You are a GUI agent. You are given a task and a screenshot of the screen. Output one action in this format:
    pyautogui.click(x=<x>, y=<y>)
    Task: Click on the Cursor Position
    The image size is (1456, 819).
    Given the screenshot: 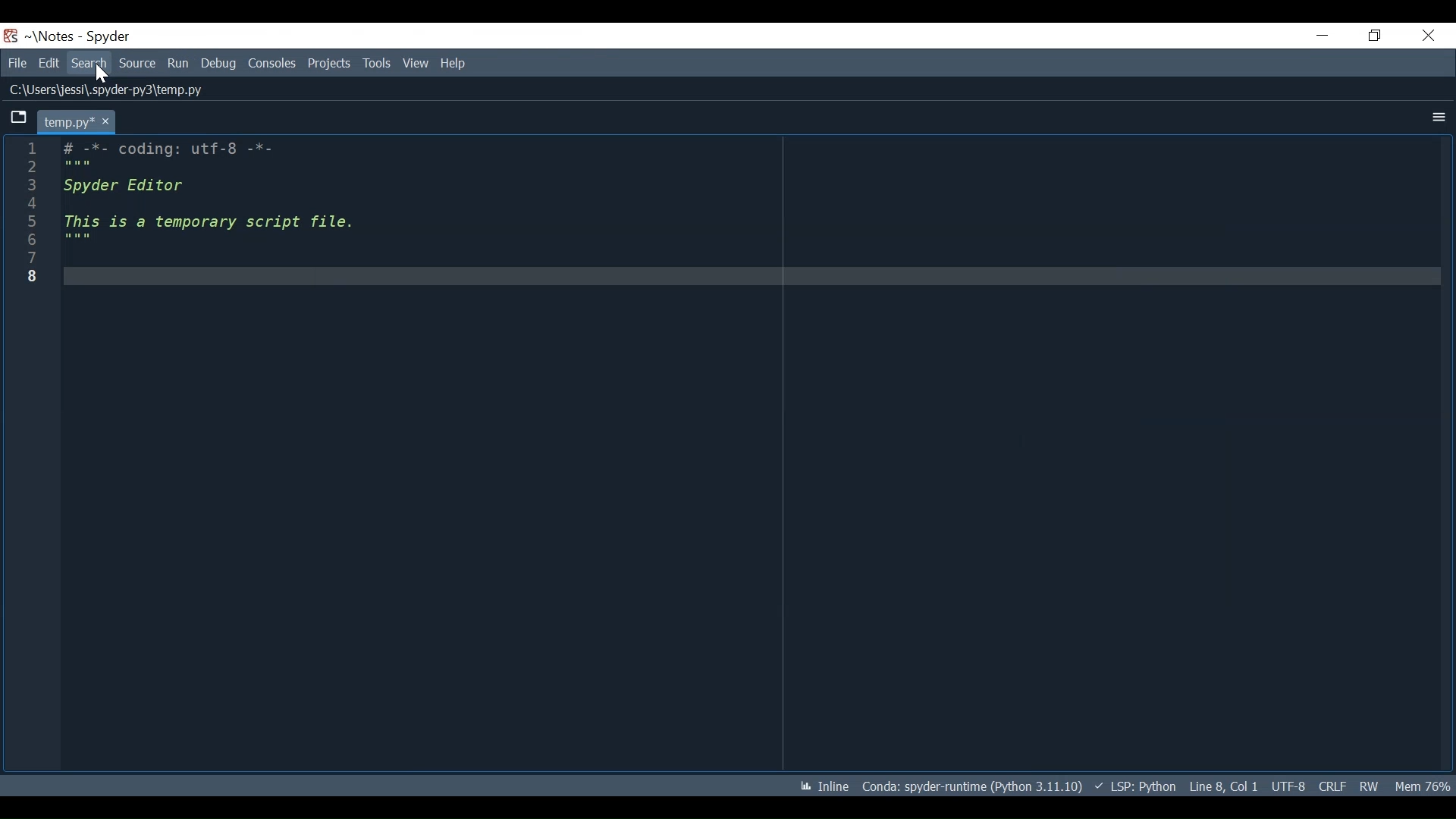 What is the action you would take?
    pyautogui.click(x=1226, y=785)
    